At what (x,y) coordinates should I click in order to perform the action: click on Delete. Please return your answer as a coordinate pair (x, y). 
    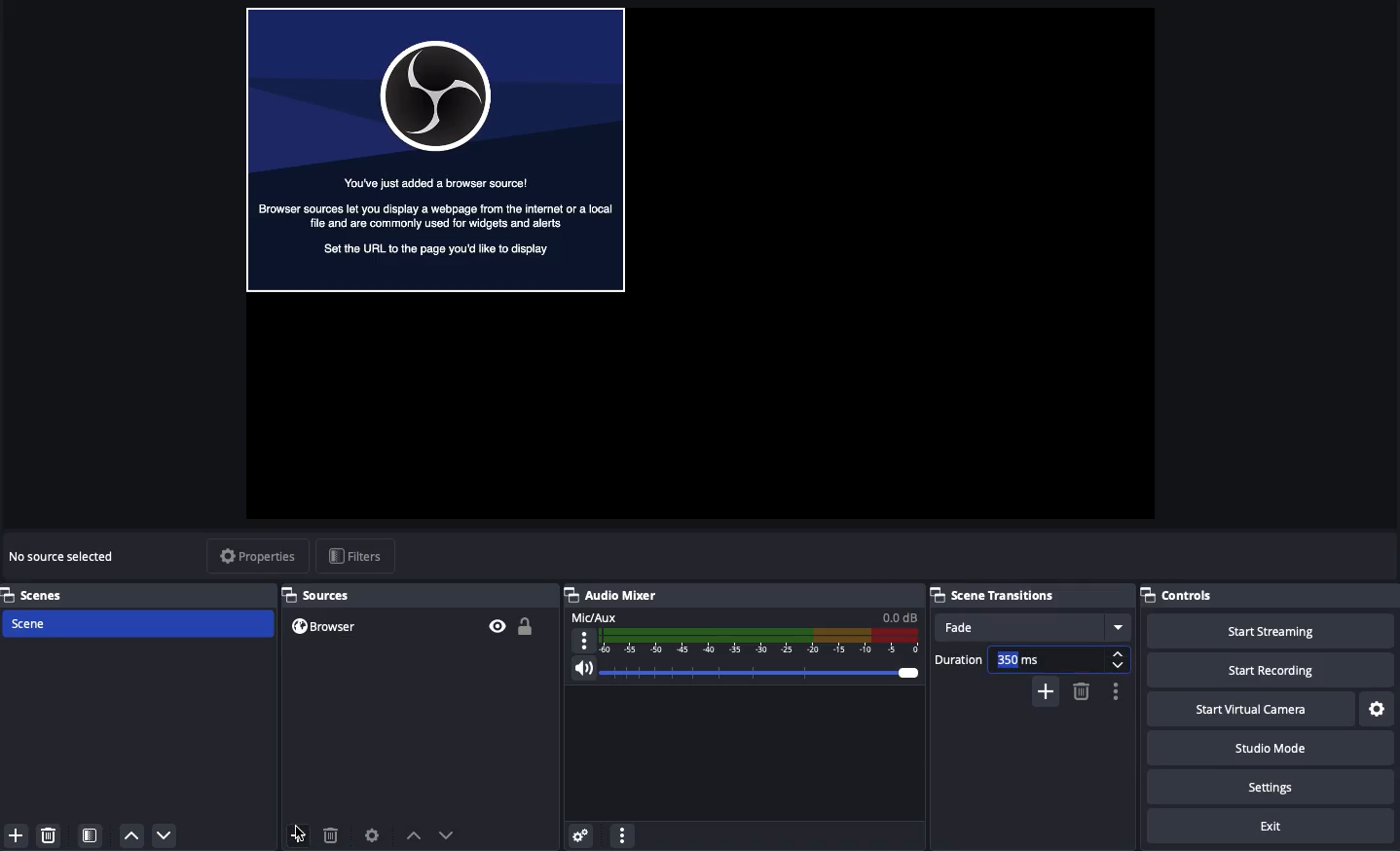
    Looking at the image, I should click on (330, 834).